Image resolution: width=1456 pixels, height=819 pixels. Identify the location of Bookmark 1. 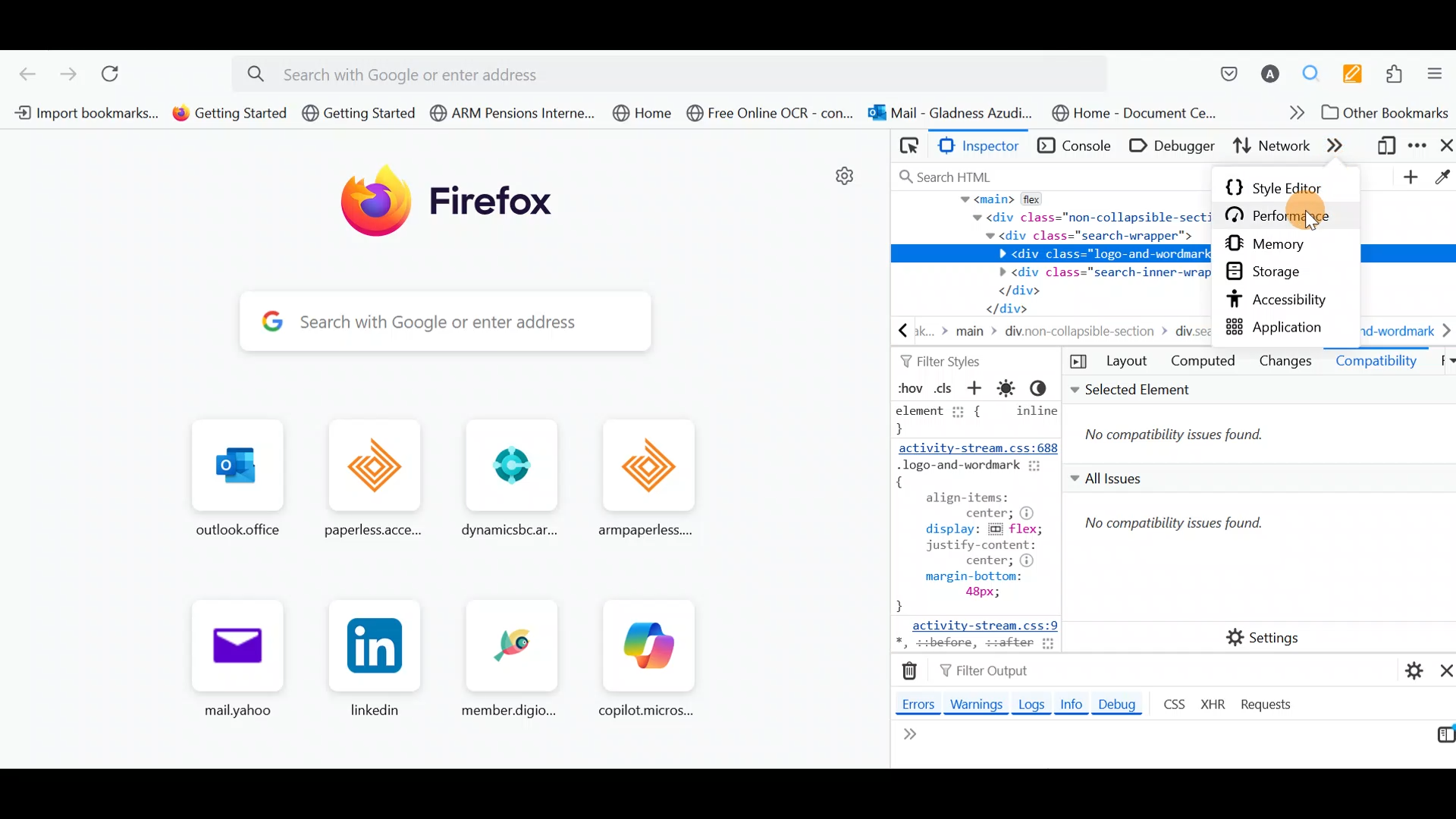
(81, 111).